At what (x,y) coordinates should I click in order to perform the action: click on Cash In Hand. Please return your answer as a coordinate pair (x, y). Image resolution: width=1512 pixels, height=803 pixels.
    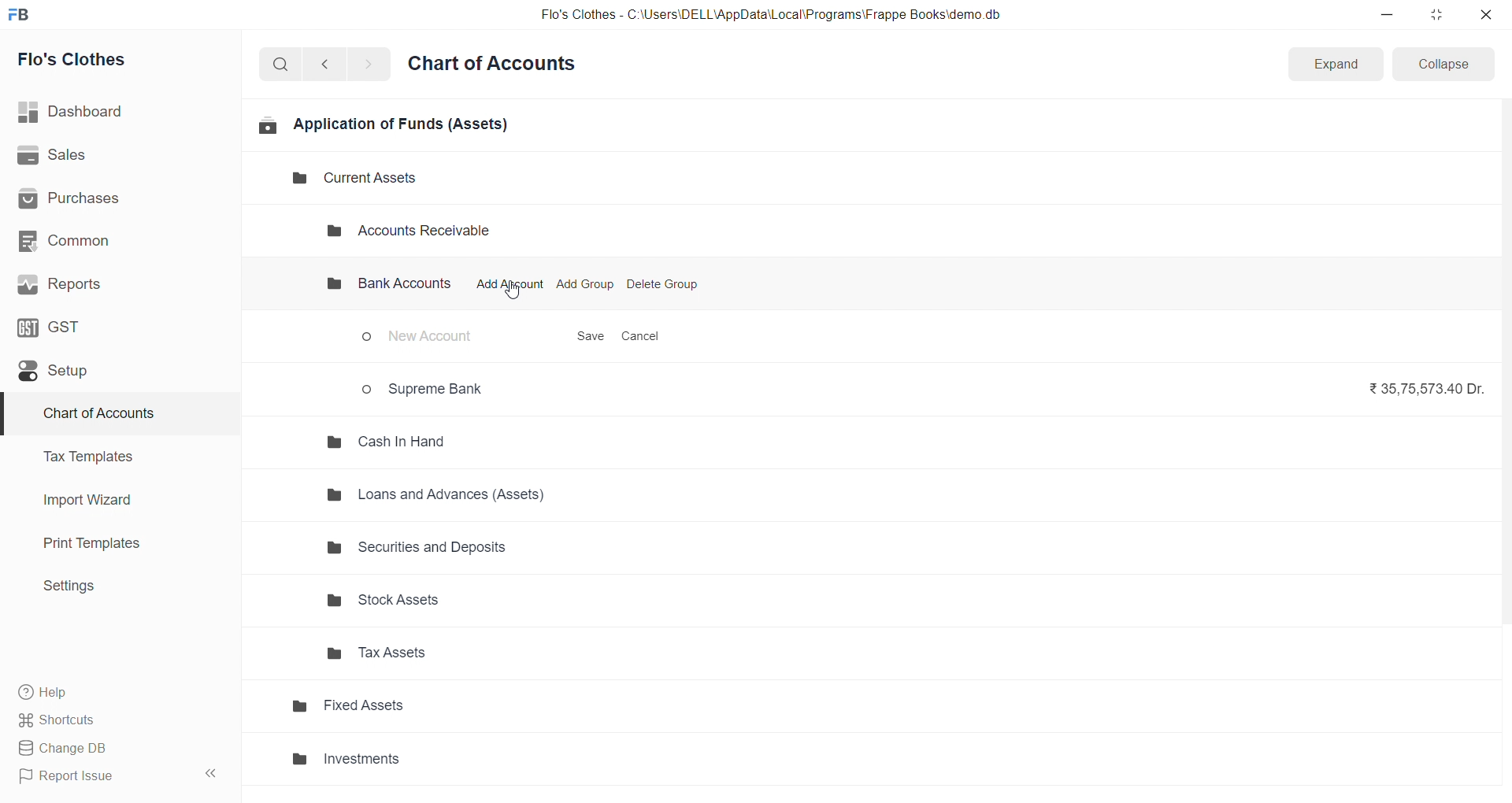
    Looking at the image, I should click on (392, 441).